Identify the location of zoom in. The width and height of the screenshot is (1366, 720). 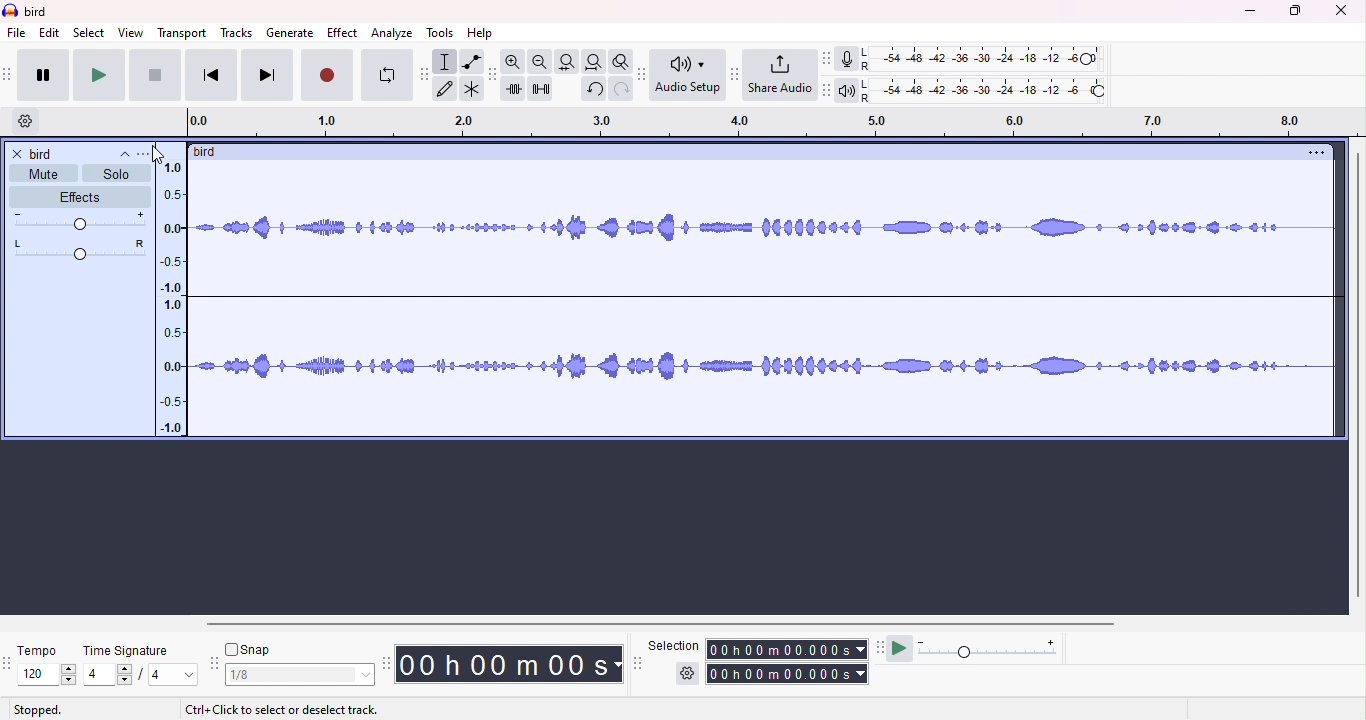
(516, 61).